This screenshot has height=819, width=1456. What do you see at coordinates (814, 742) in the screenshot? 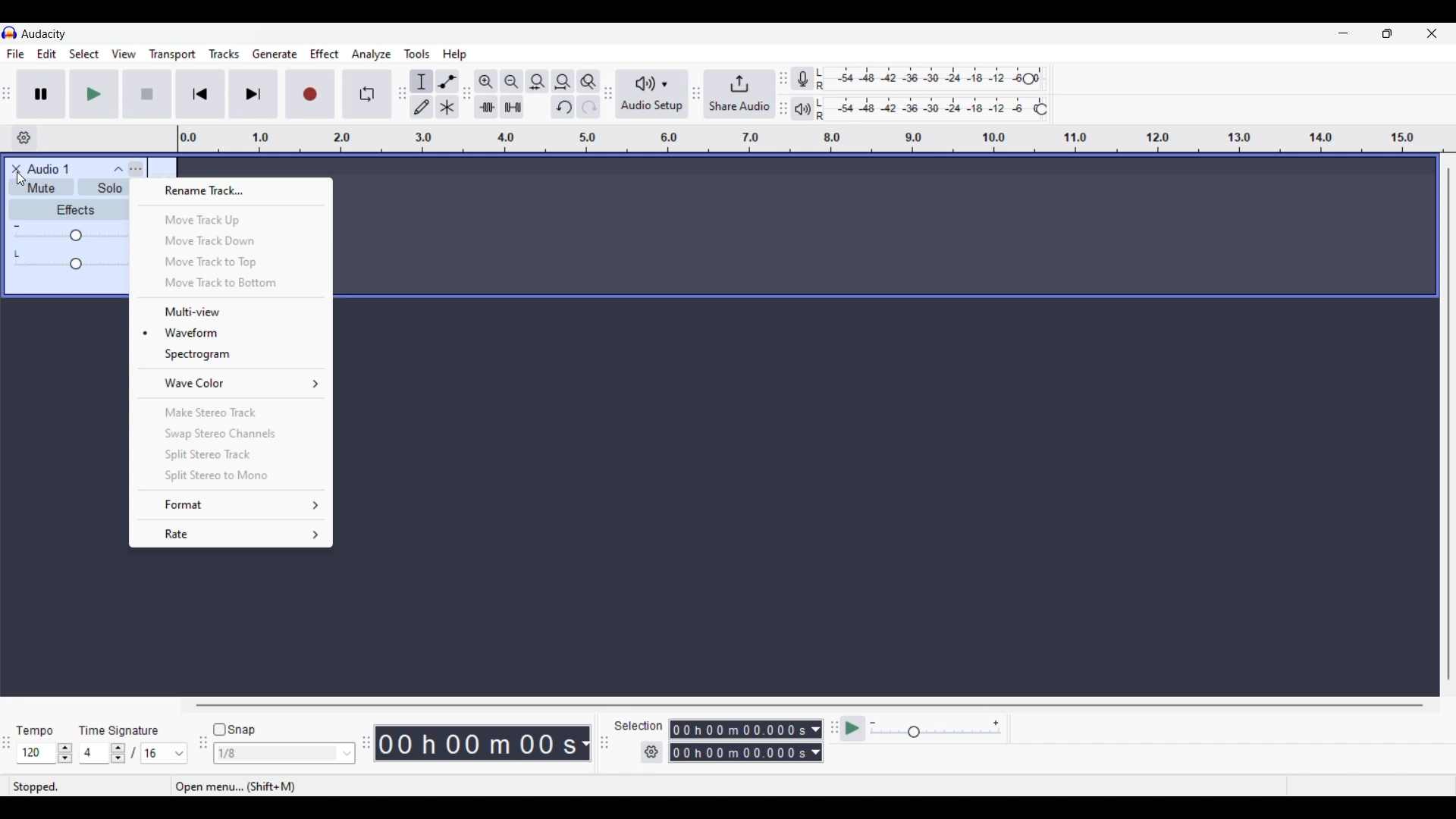
I see `Metric options to record duration` at bounding box center [814, 742].